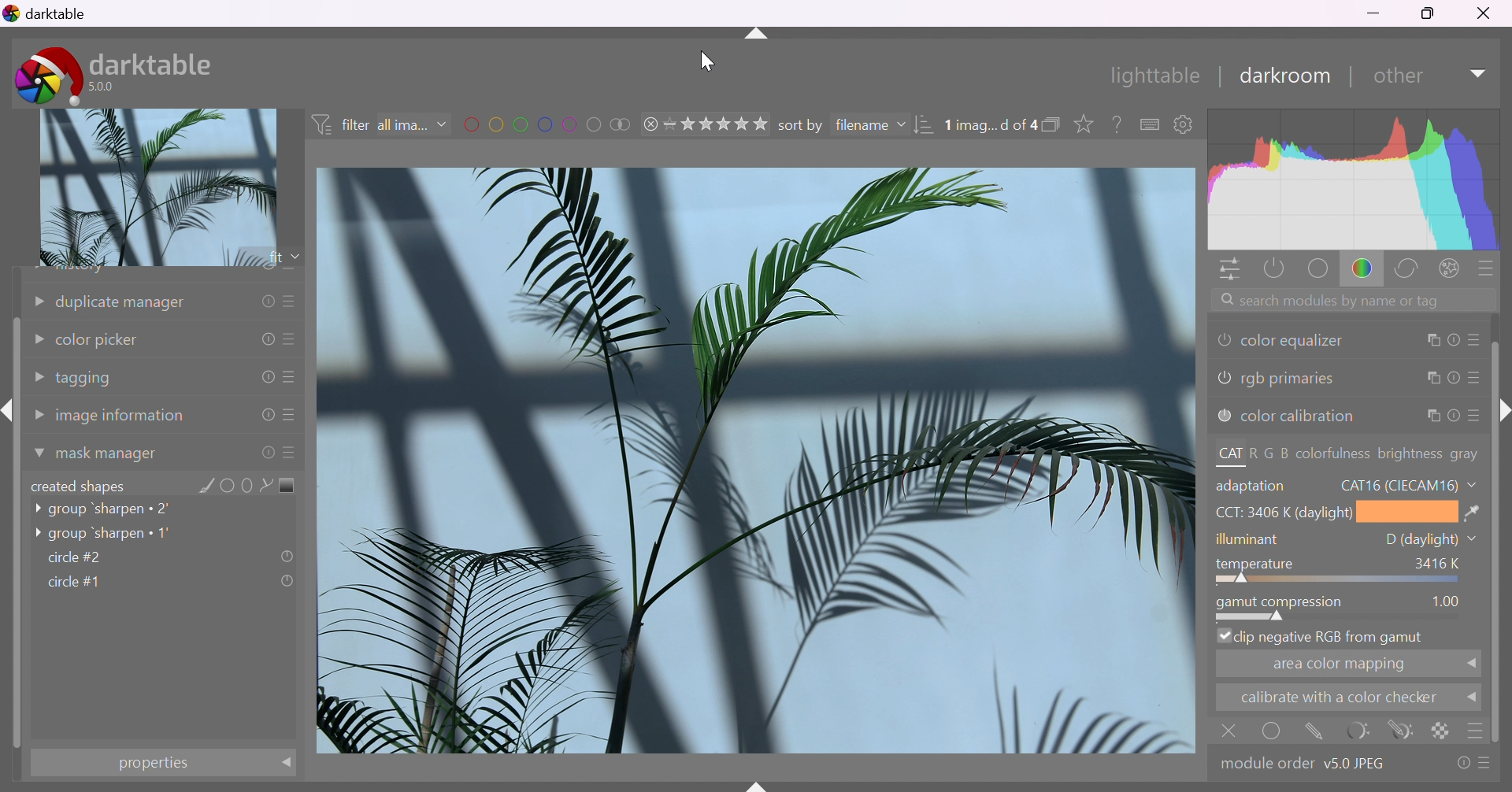 This screenshot has height=792, width=1512. I want to click on module order v5.0 JPEG, so click(1300, 764).